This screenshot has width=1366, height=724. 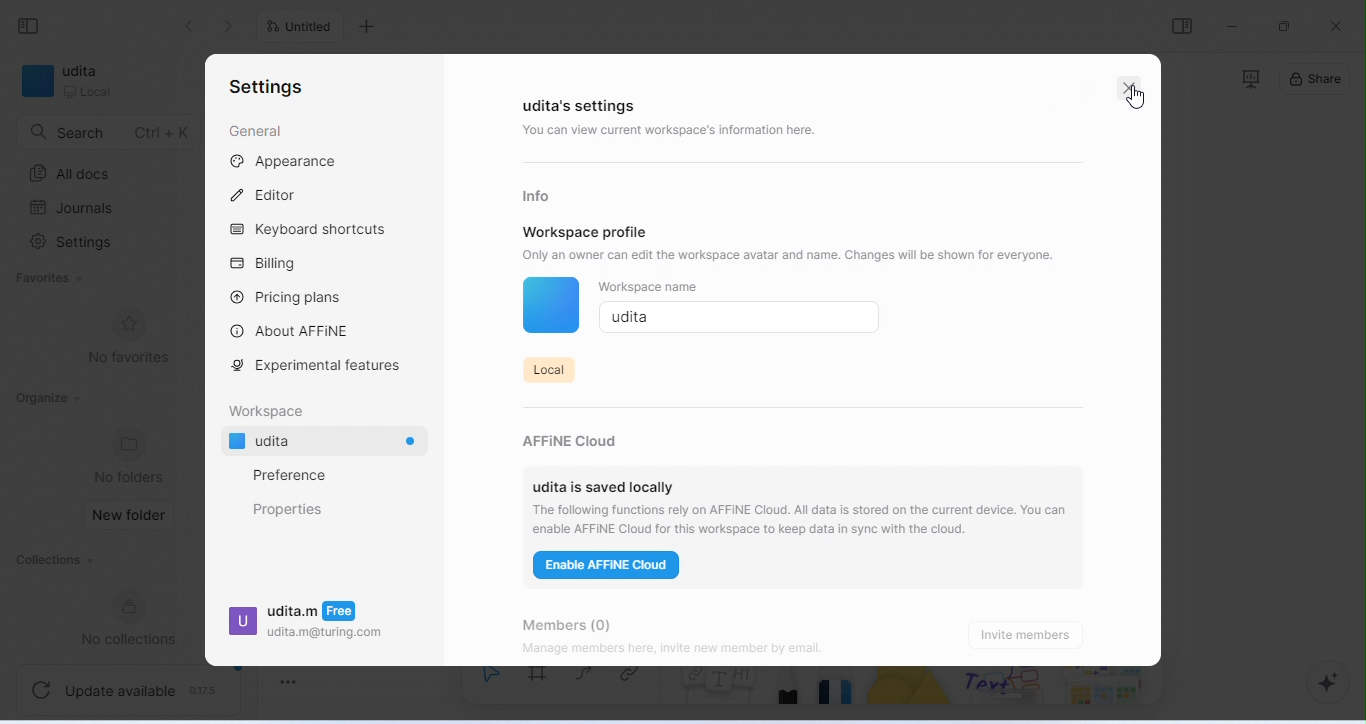 What do you see at coordinates (75, 244) in the screenshot?
I see `settings` at bounding box center [75, 244].